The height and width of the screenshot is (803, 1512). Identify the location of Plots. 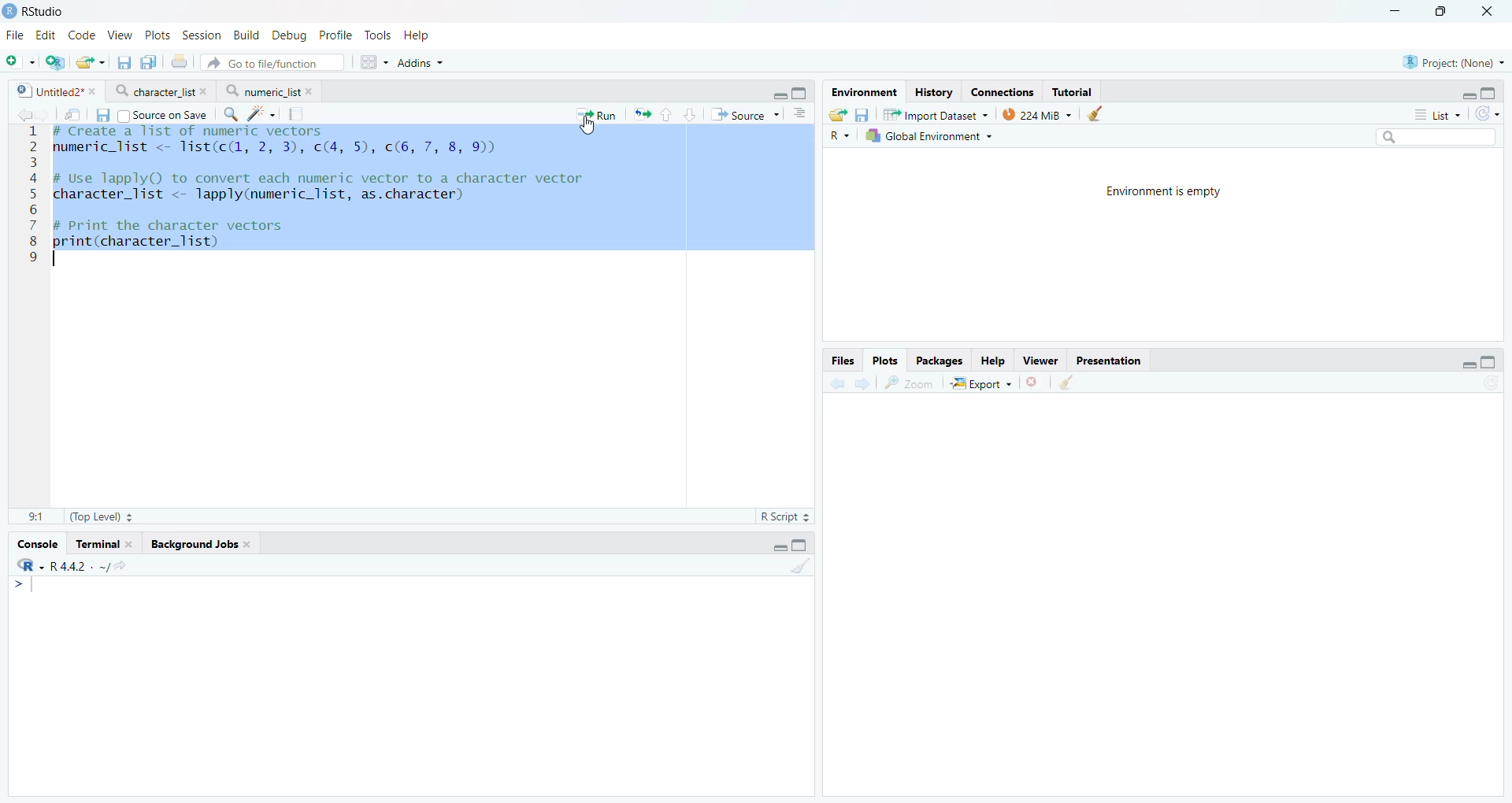
(161, 34).